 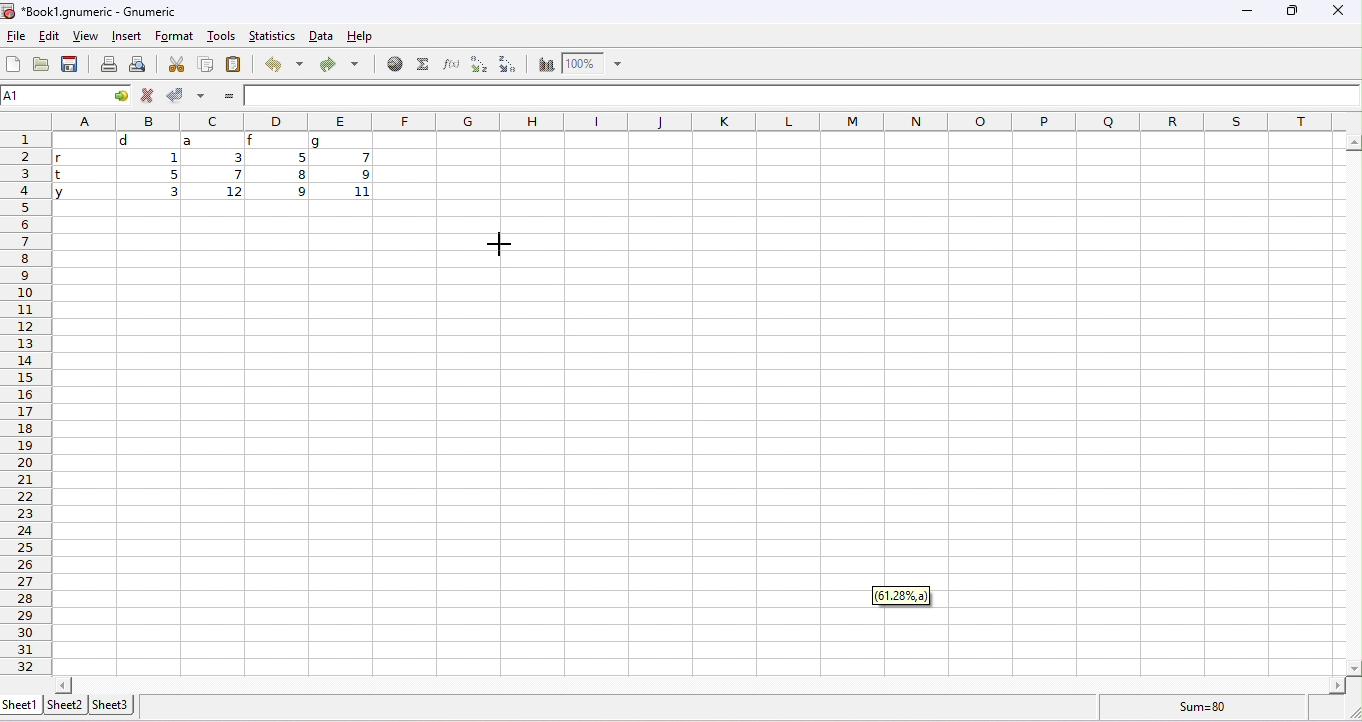 I want to click on redo, so click(x=339, y=63).